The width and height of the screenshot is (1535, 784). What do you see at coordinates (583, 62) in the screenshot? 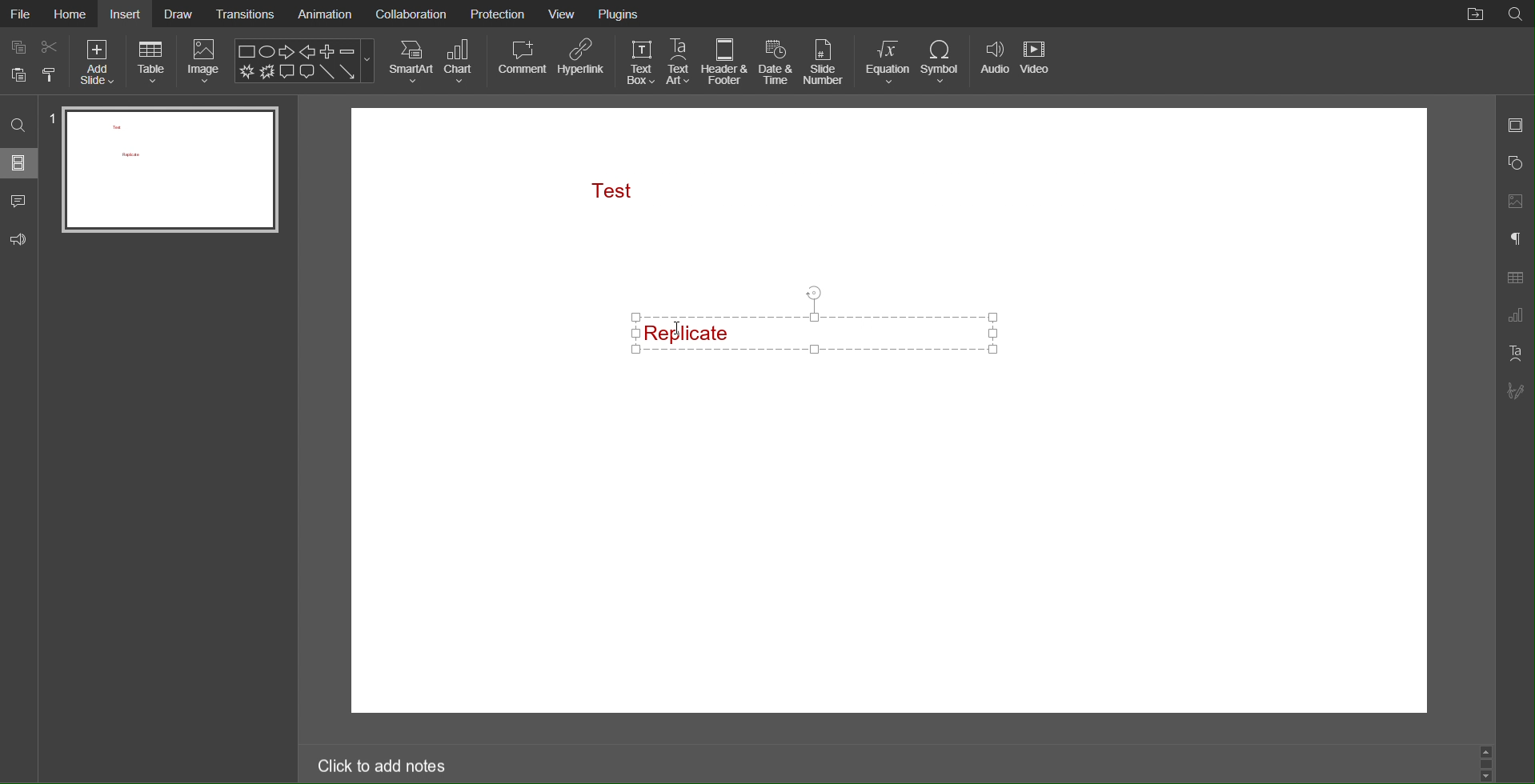
I see `Hyperlink` at bounding box center [583, 62].